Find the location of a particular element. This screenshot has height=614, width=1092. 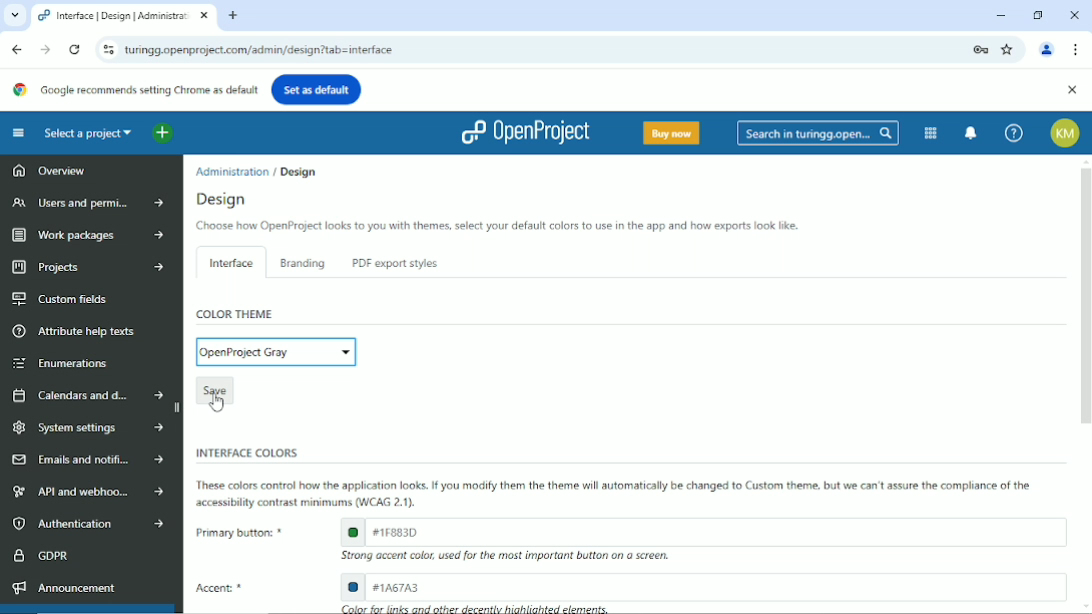

Interface is located at coordinates (228, 261).